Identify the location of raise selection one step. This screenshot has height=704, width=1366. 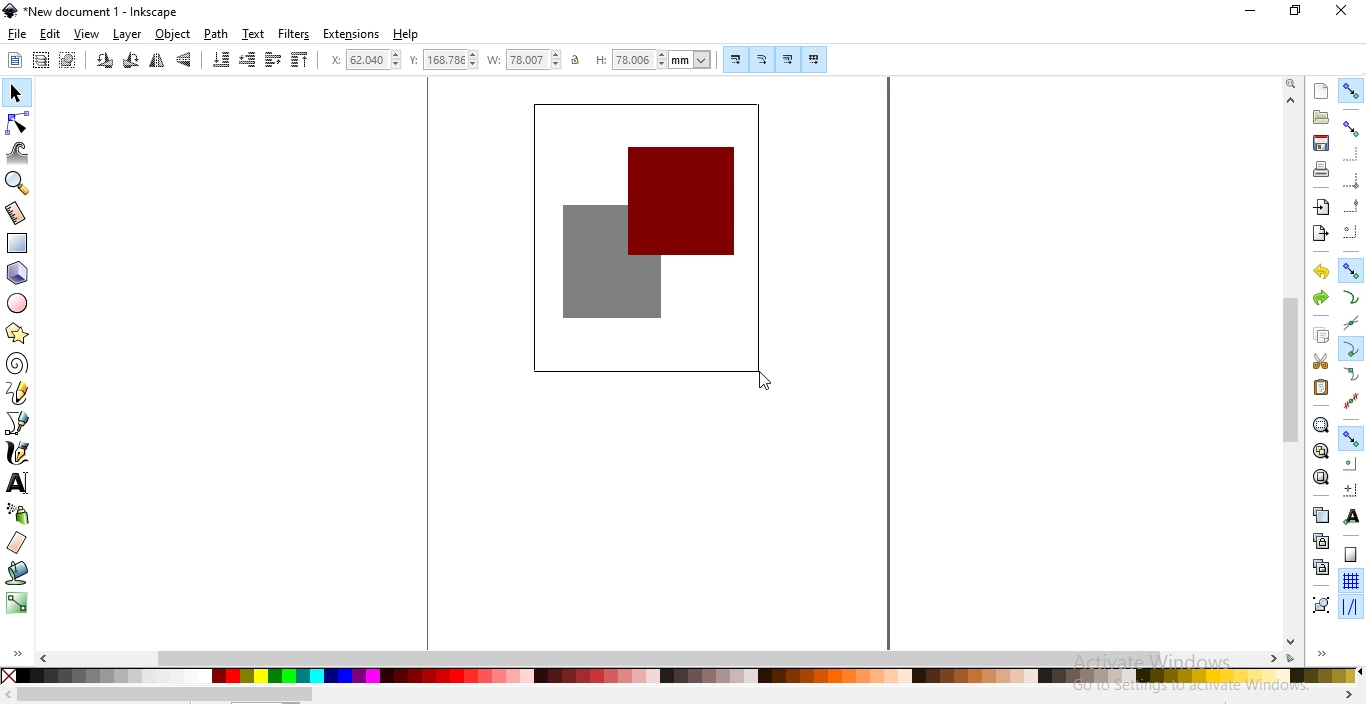
(272, 59).